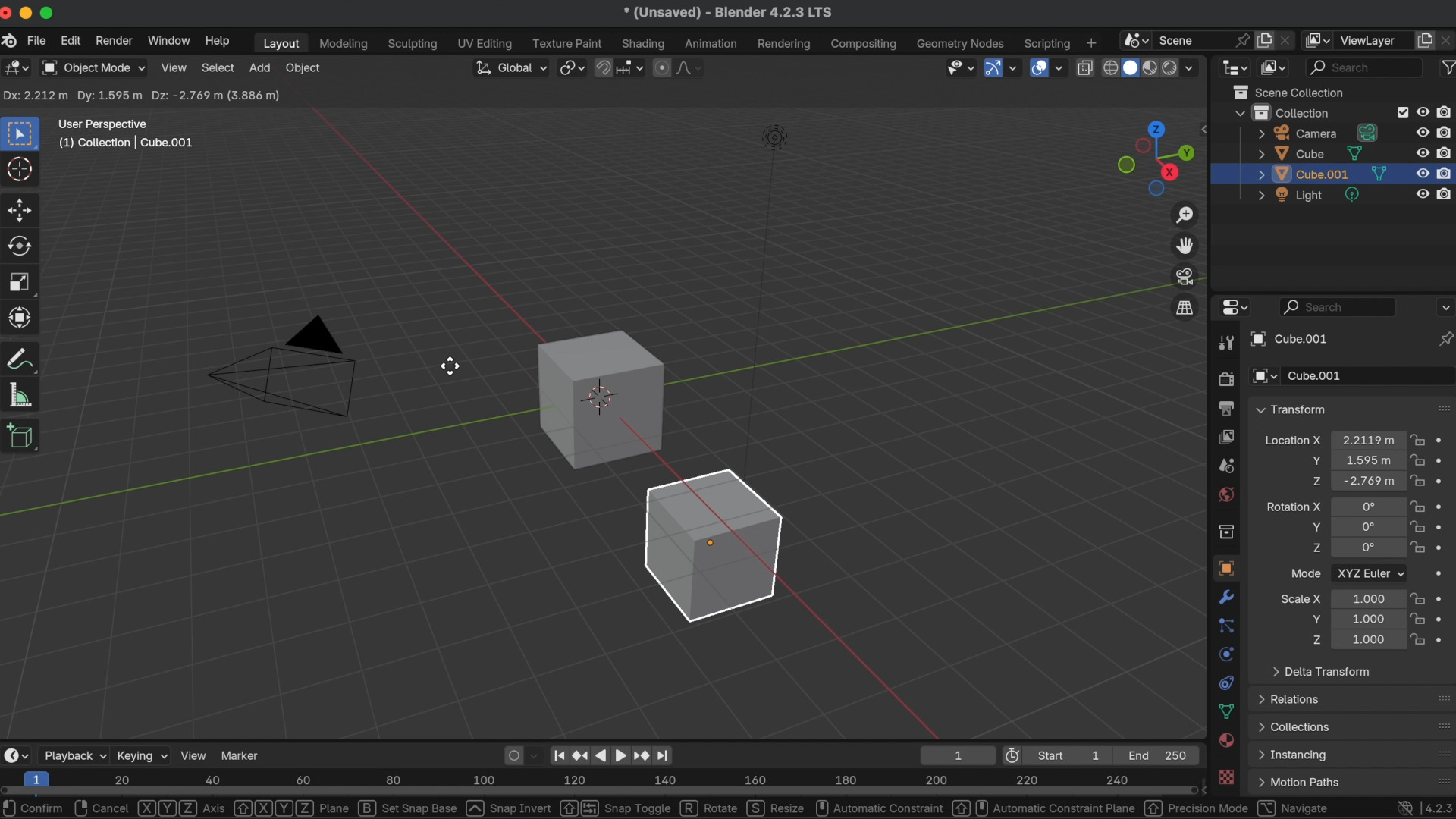  Describe the element at coordinates (1061, 69) in the screenshot. I see `overlays` at that location.